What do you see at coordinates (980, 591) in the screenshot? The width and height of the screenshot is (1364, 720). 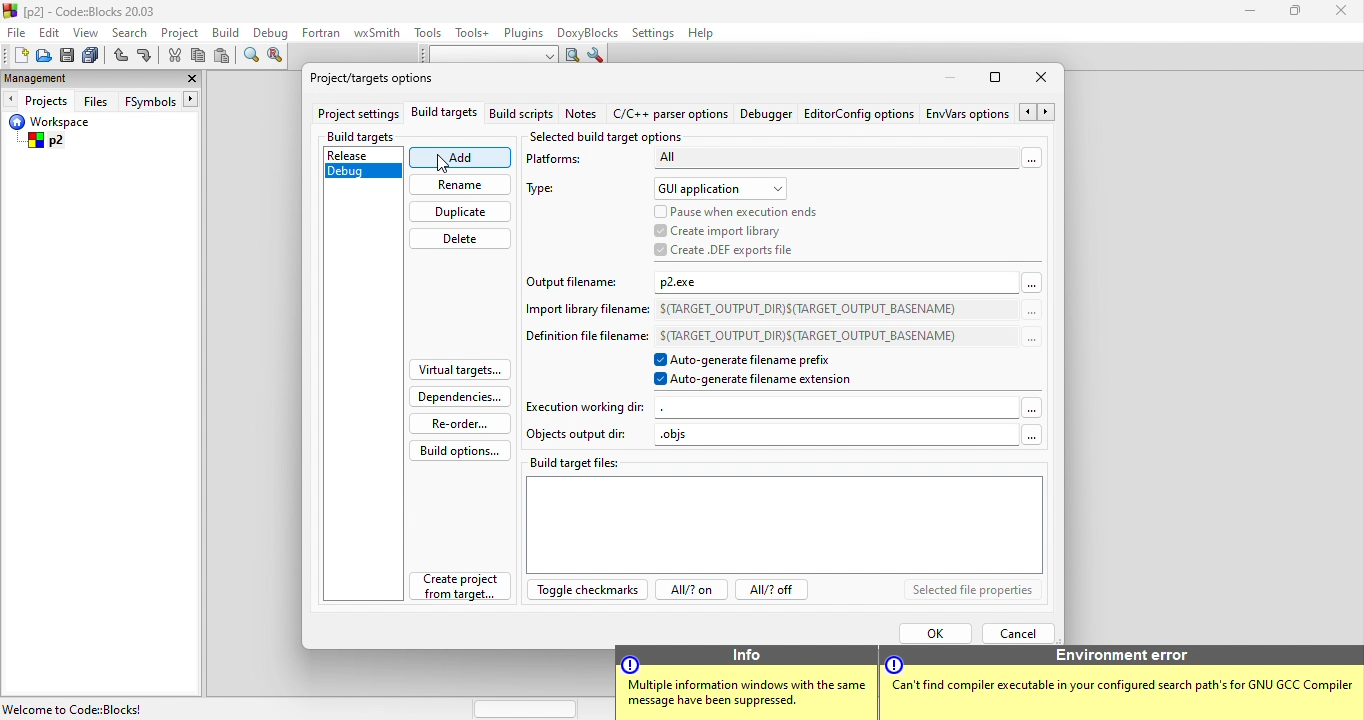 I see `selected file properties` at bounding box center [980, 591].